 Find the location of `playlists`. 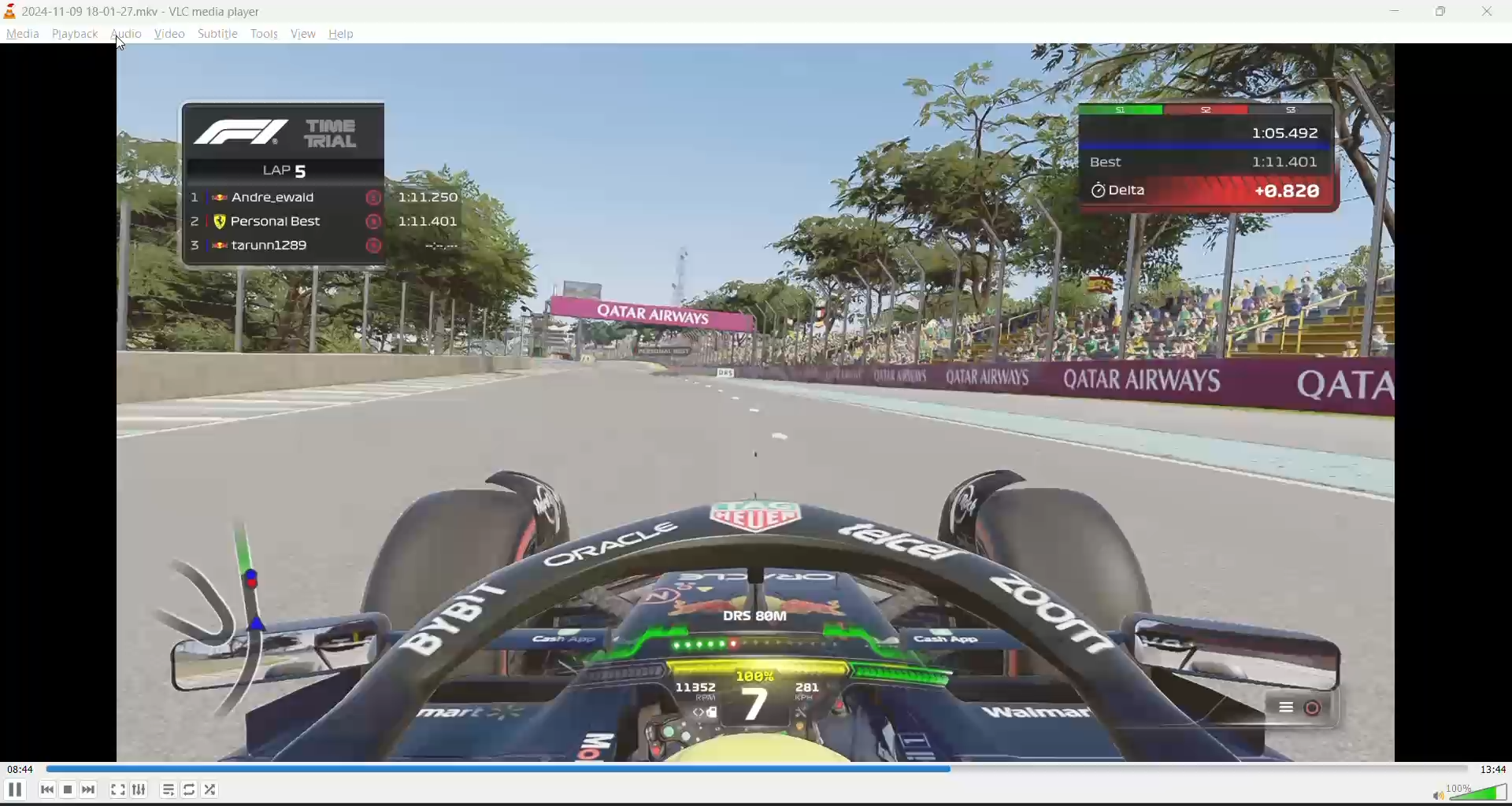

playlists is located at coordinates (170, 790).